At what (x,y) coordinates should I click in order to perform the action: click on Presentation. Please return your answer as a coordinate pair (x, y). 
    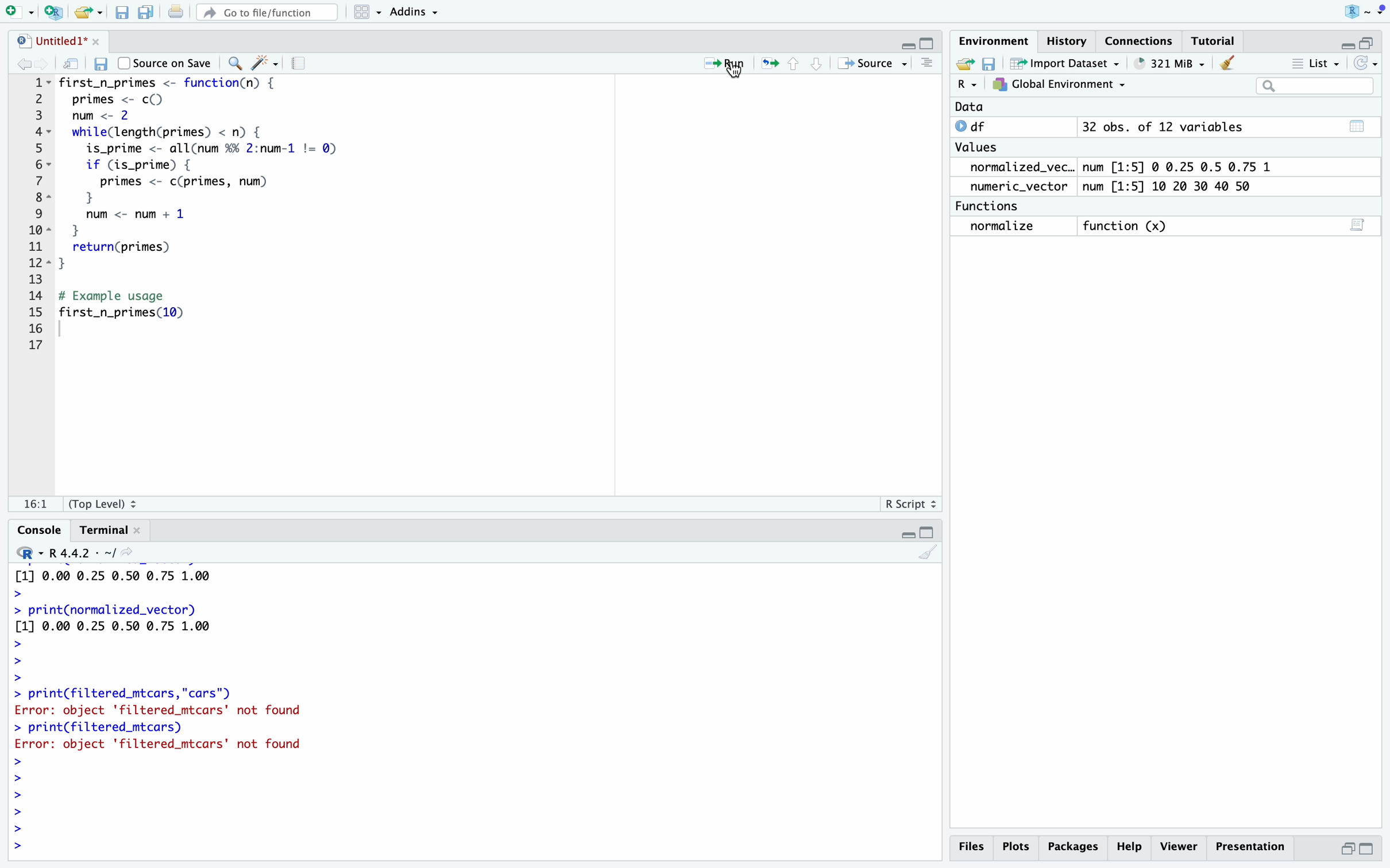
    Looking at the image, I should click on (1255, 845).